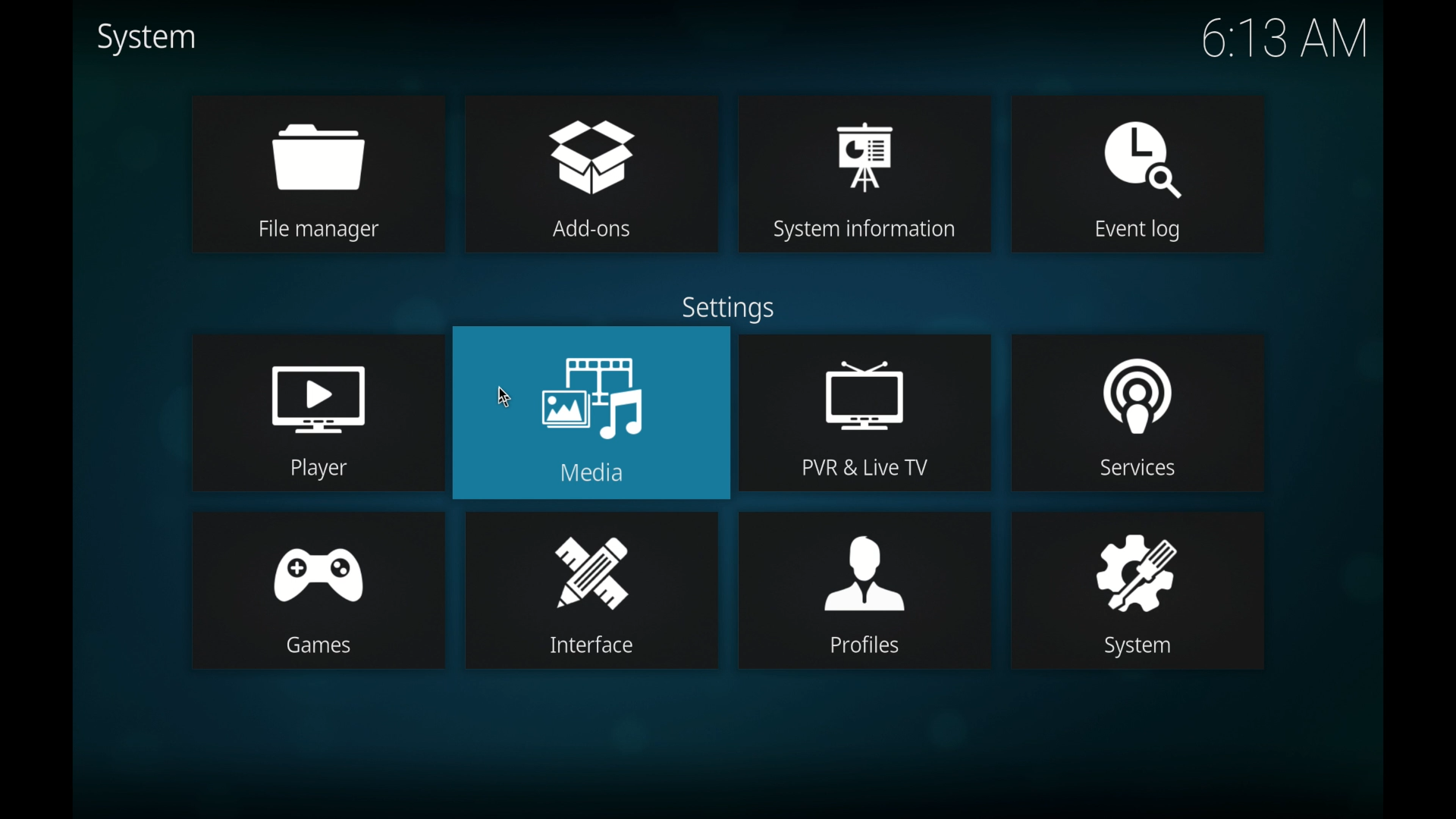 The image size is (1456, 819). I want to click on interface, so click(592, 591).